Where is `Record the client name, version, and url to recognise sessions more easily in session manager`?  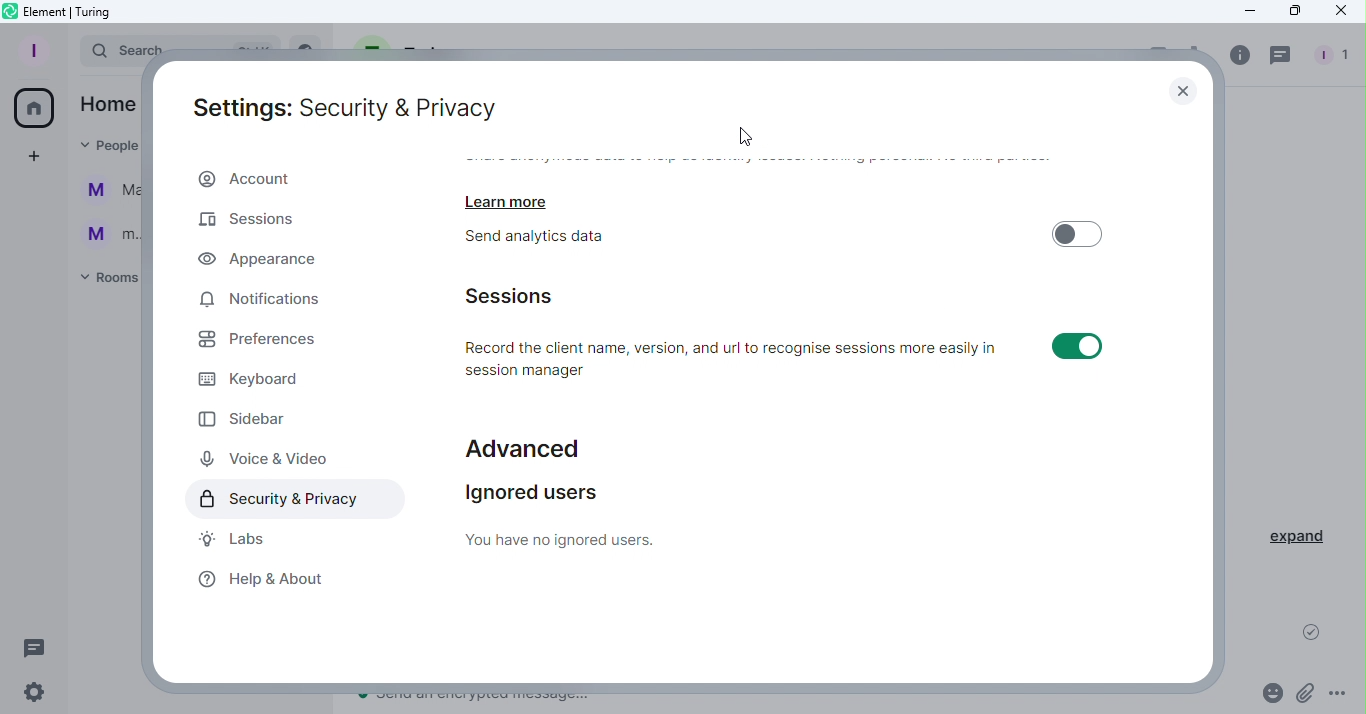 Record the client name, version, and url to recognise sessions more easily in session manager is located at coordinates (737, 357).